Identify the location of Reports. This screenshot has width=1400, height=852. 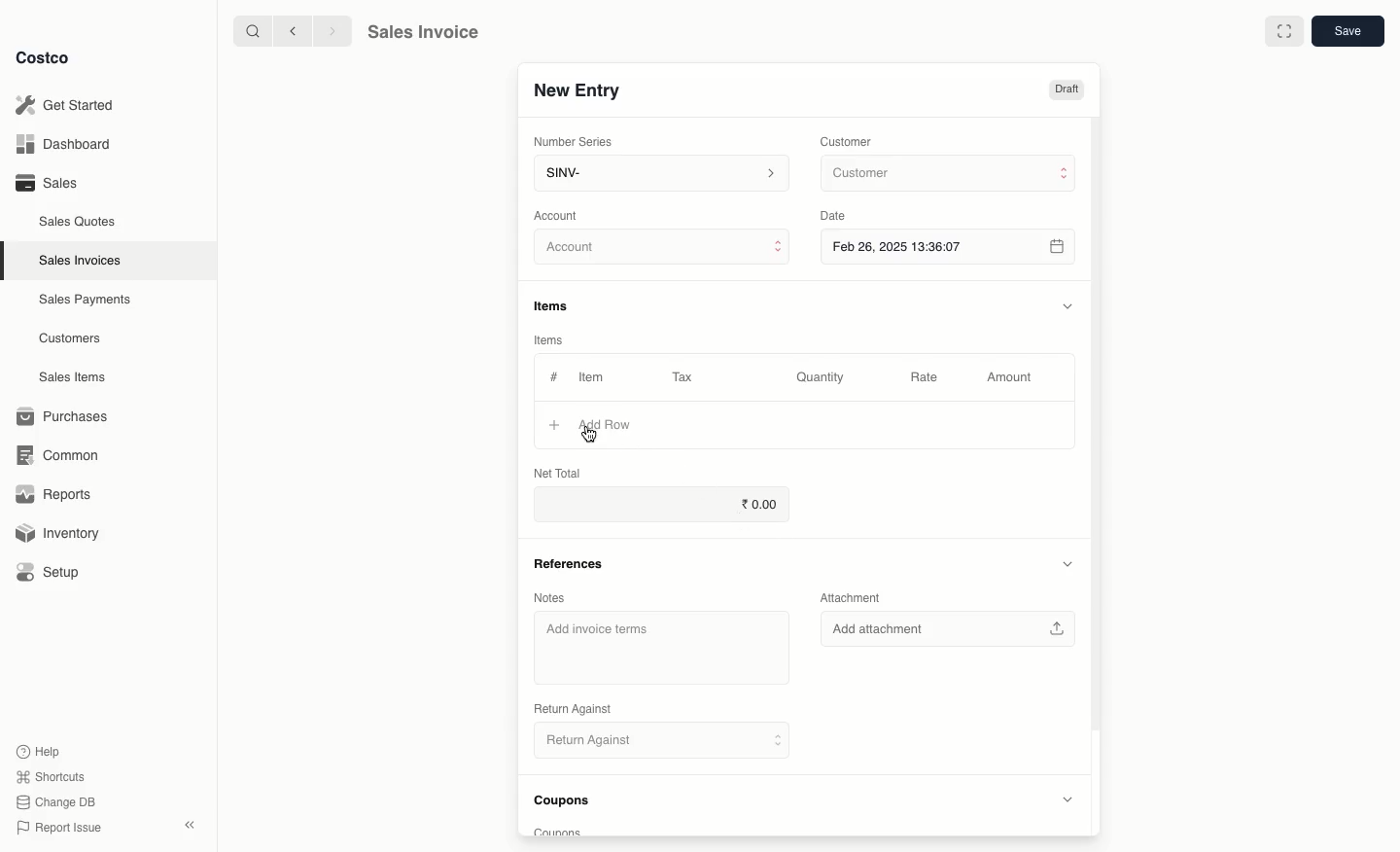
(54, 496).